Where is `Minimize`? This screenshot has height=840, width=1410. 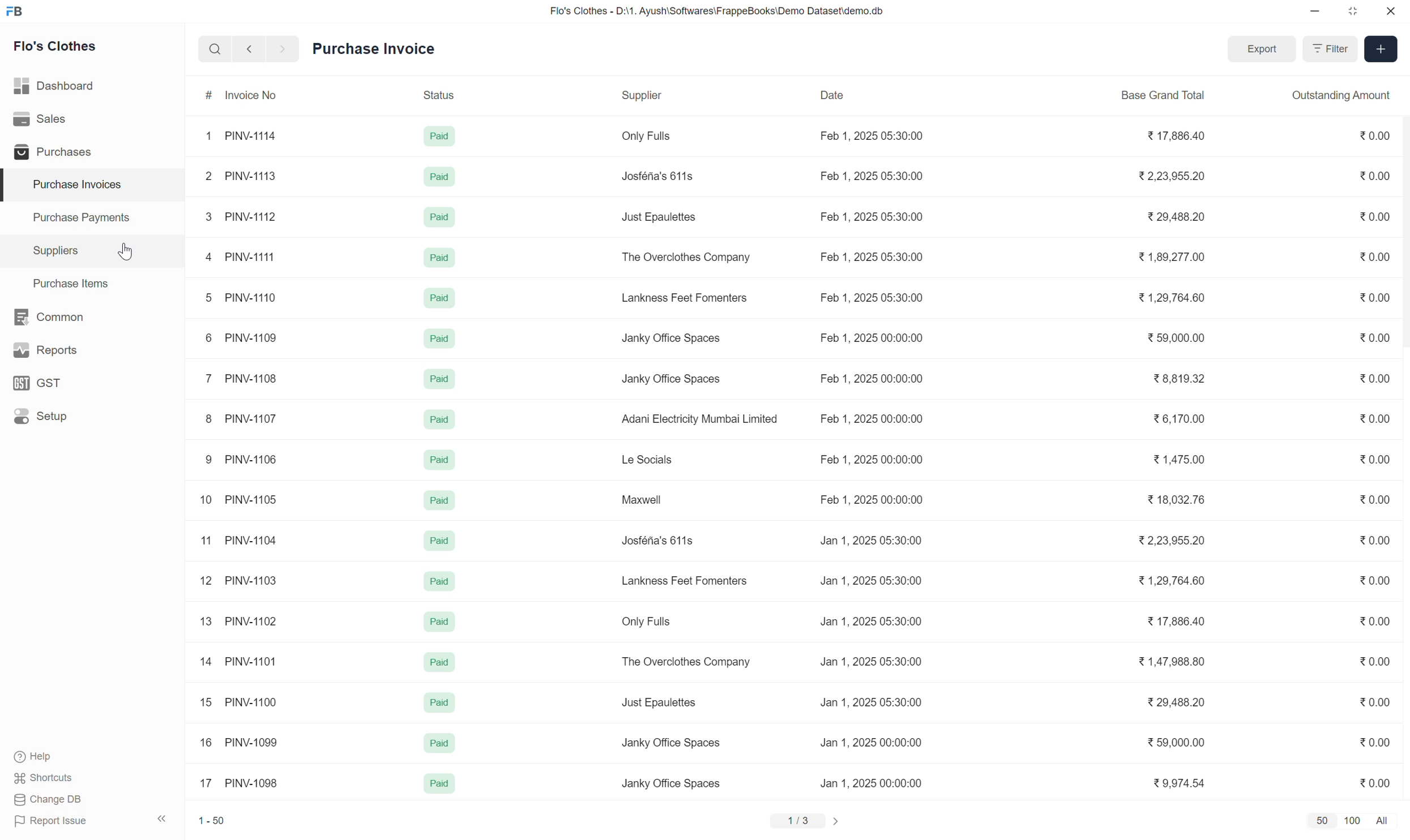
Minimize is located at coordinates (1315, 11).